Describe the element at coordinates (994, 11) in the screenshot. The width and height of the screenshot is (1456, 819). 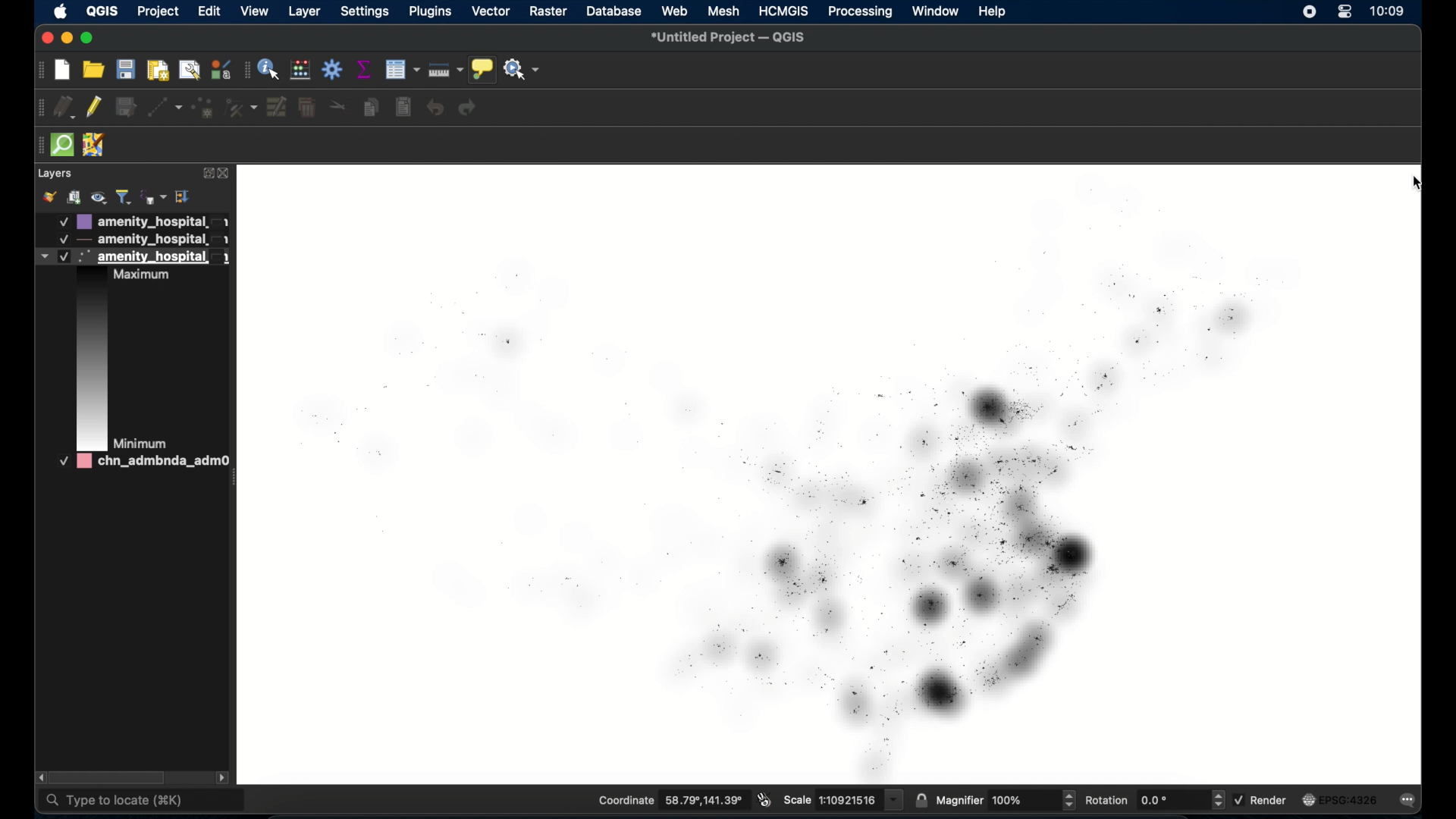
I see `help` at that location.